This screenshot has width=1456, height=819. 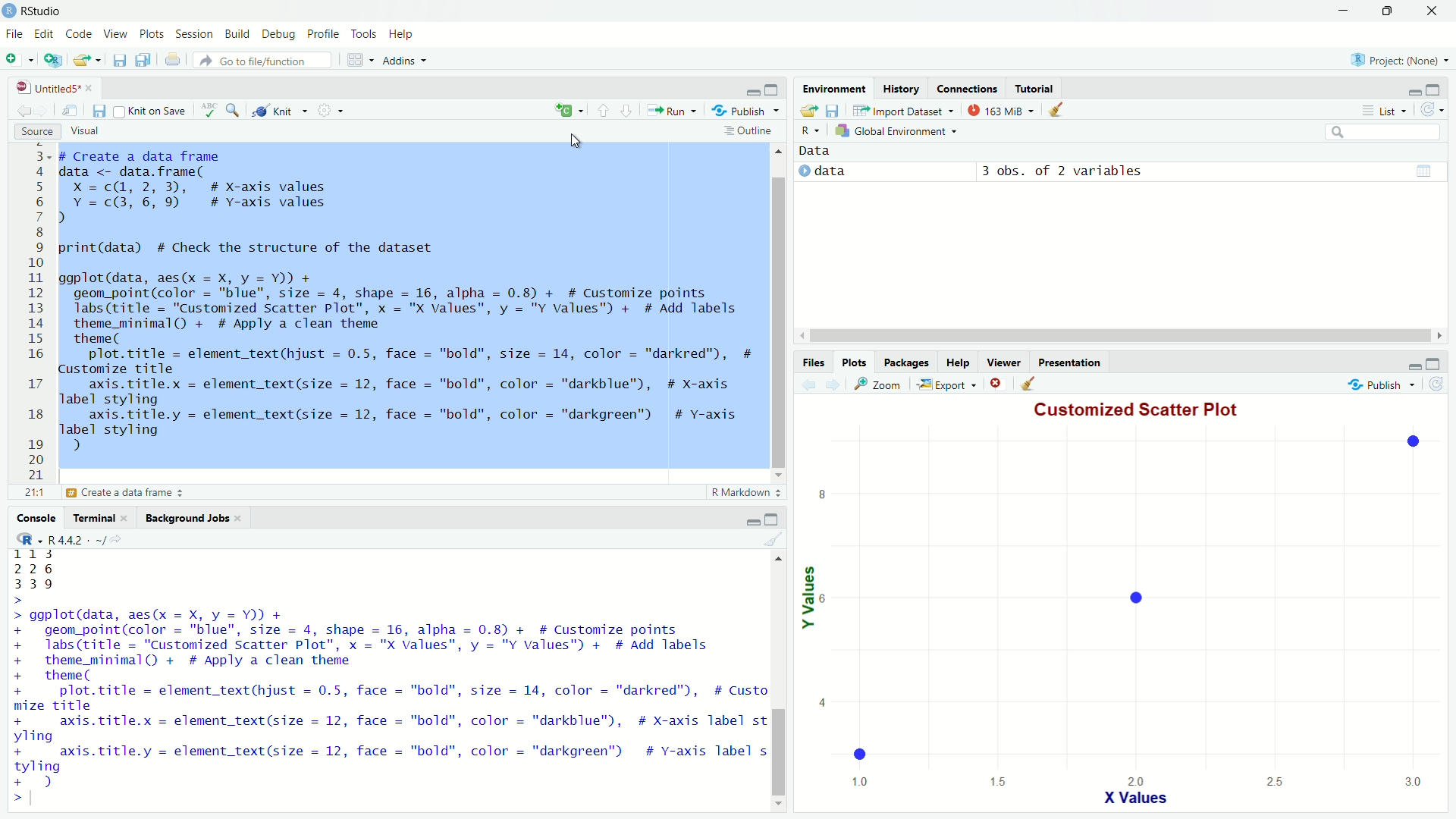 What do you see at coordinates (1005, 111) in the screenshot?
I see `145Mb used by the R session` at bounding box center [1005, 111].